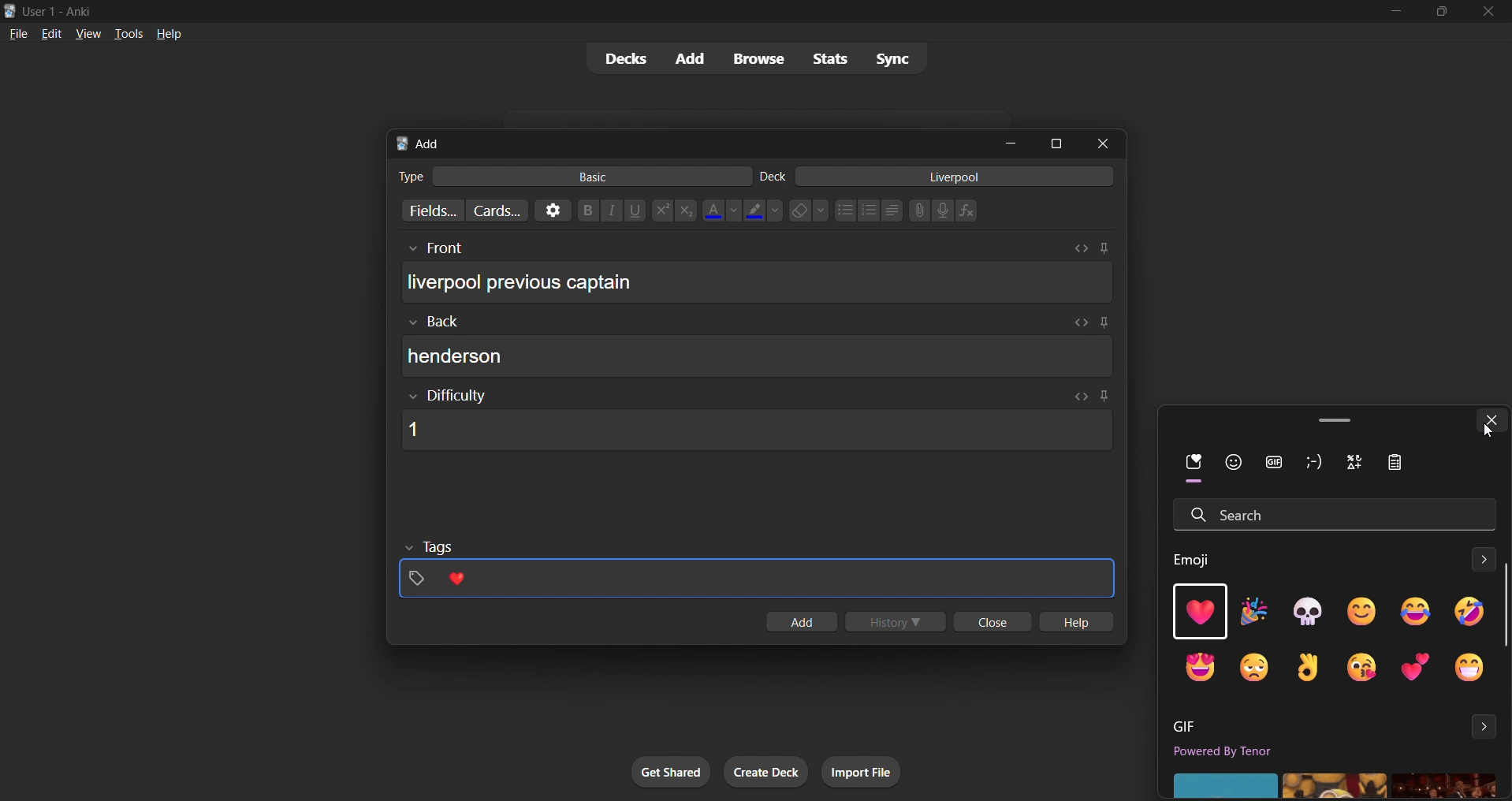 The image size is (1512, 801). What do you see at coordinates (1486, 430) in the screenshot?
I see `Cursor` at bounding box center [1486, 430].